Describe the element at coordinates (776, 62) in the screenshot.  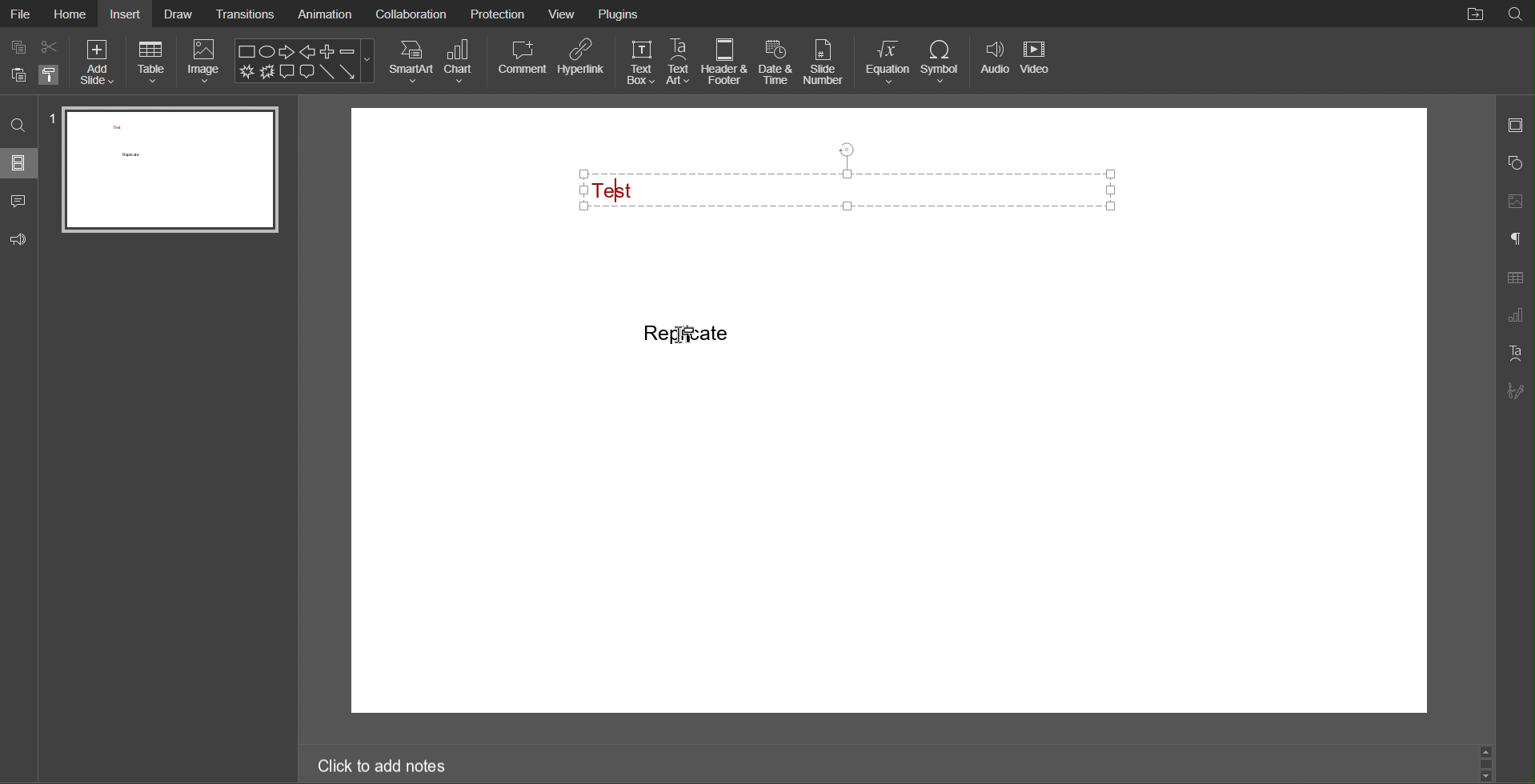
I see `Date & Time` at that location.